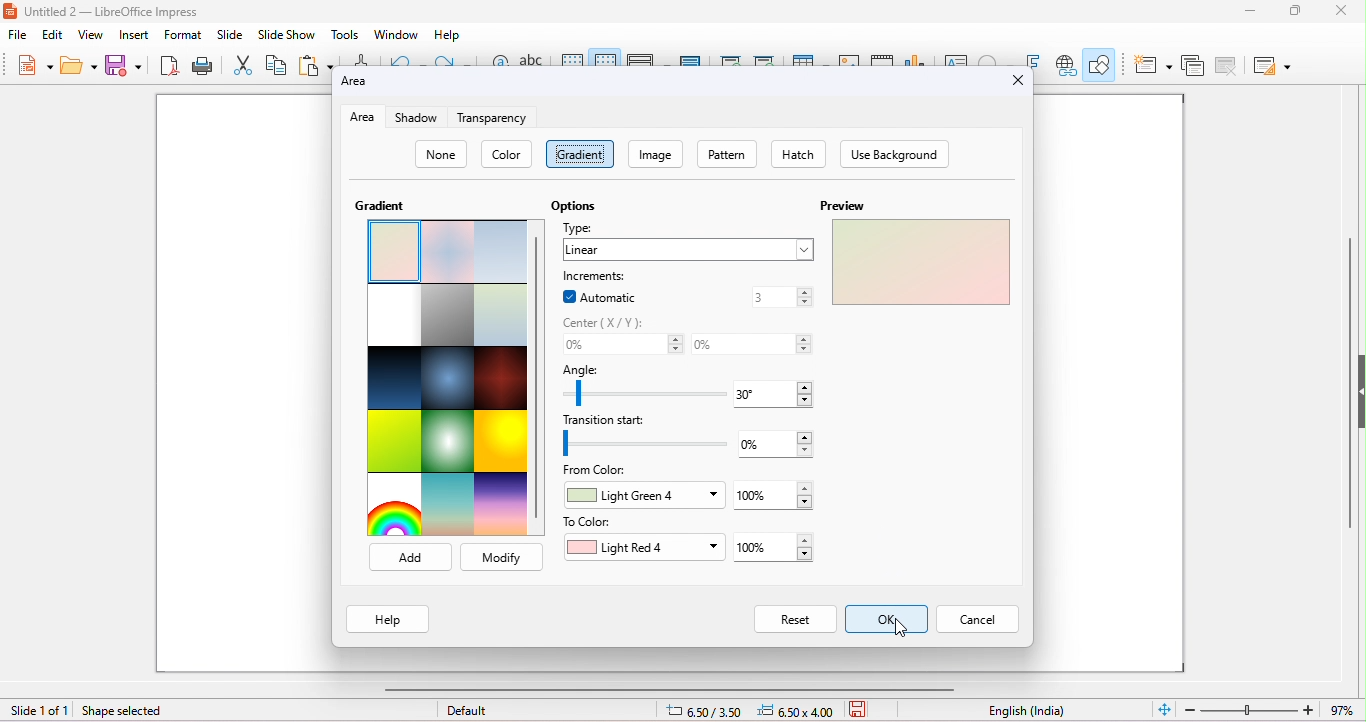 The height and width of the screenshot is (722, 1366). What do you see at coordinates (397, 34) in the screenshot?
I see `window` at bounding box center [397, 34].